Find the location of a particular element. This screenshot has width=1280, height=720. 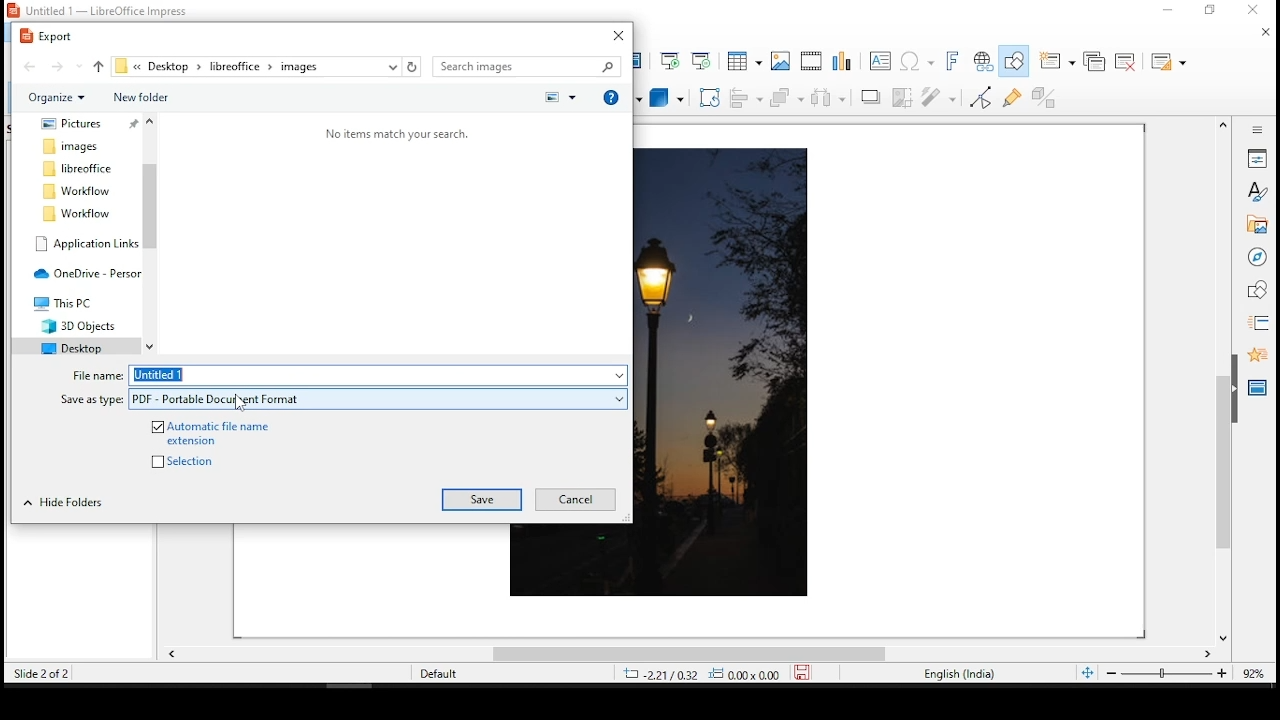

distribute is located at coordinates (830, 98).